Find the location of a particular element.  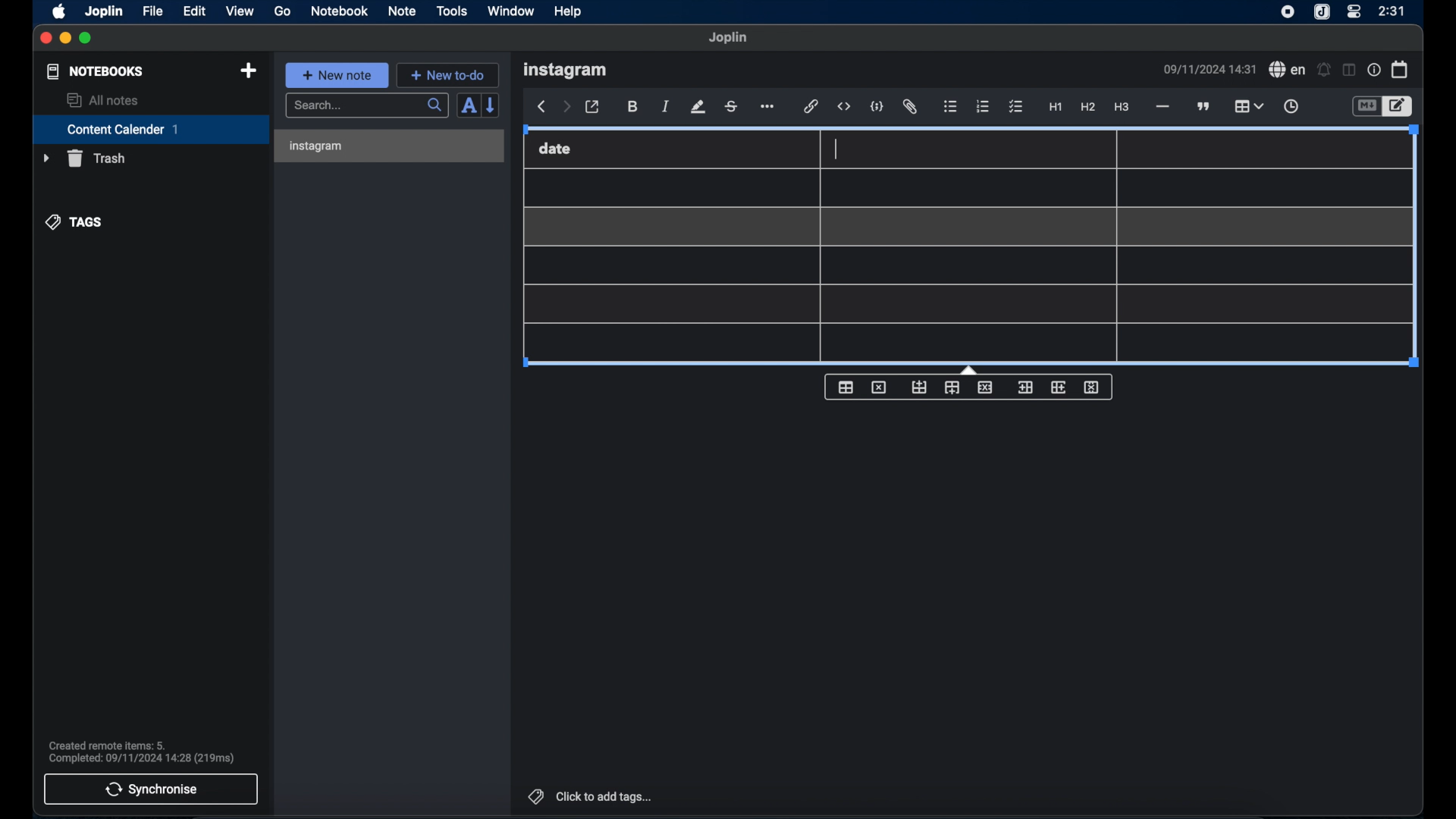

toggle editor layout is located at coordinates (1349, 71).